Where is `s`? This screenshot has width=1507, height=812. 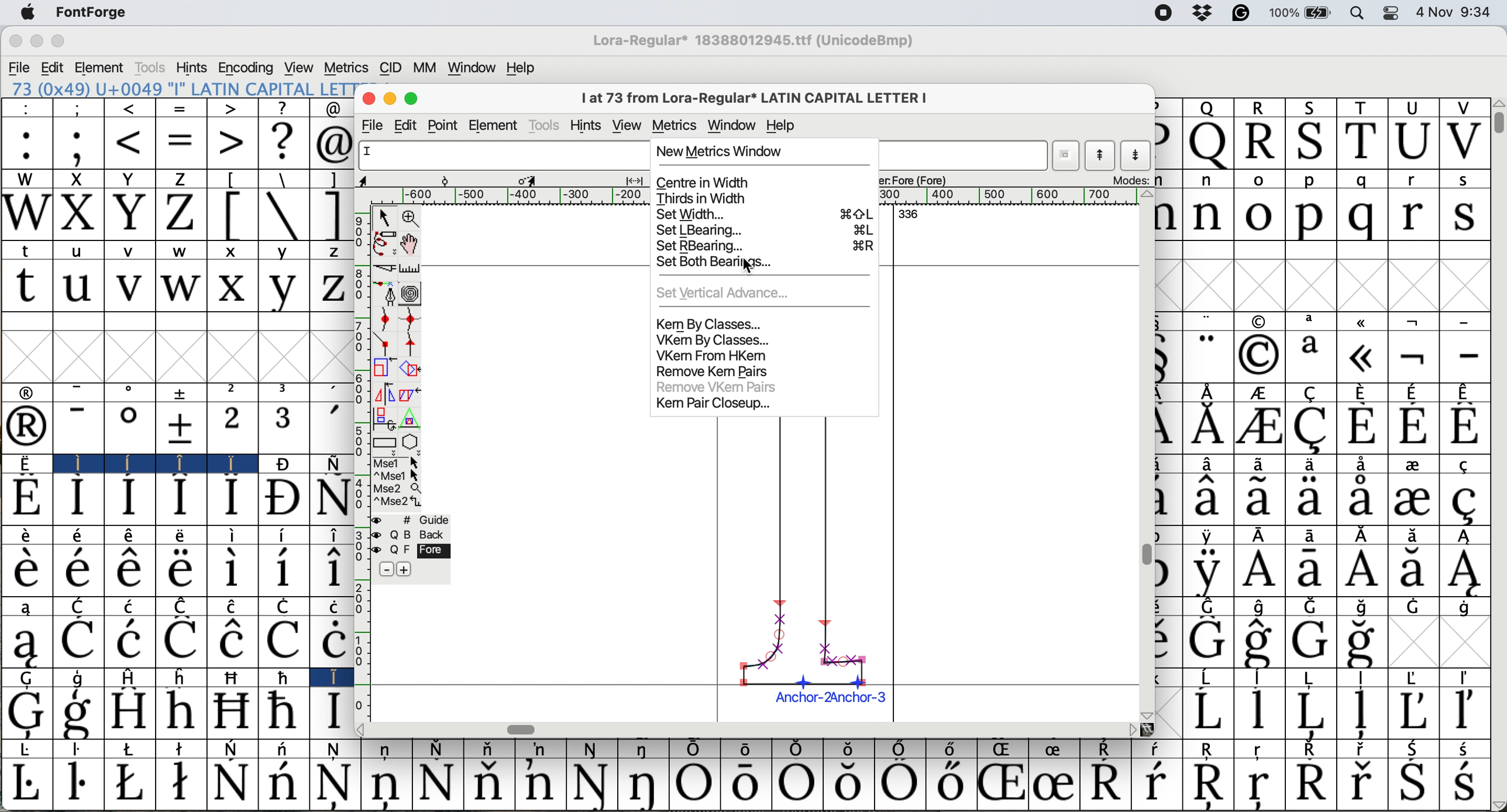
s is located at coordinates (1465, 216).